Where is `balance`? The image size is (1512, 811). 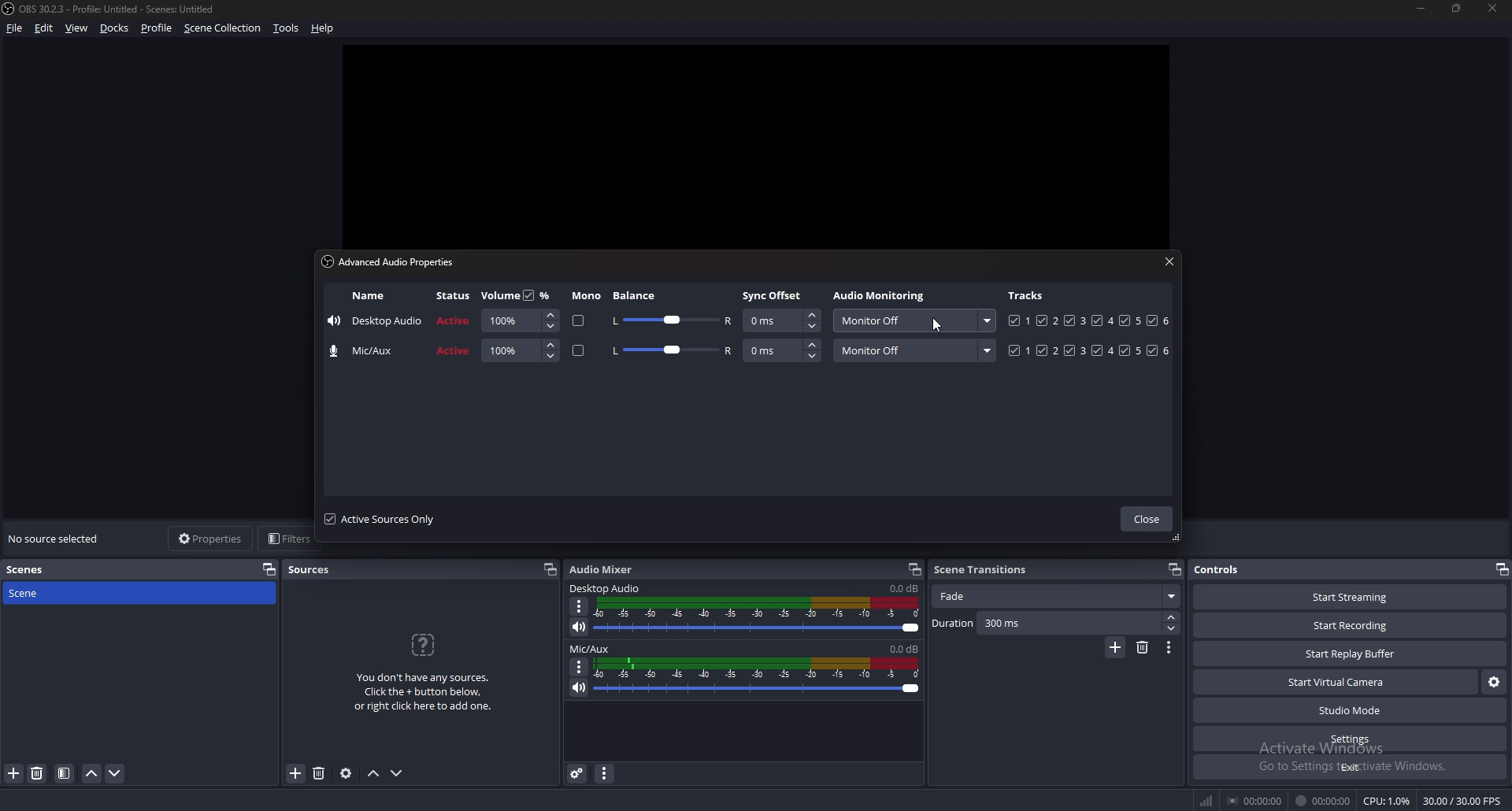
balance is located at coordinates (639, 295).